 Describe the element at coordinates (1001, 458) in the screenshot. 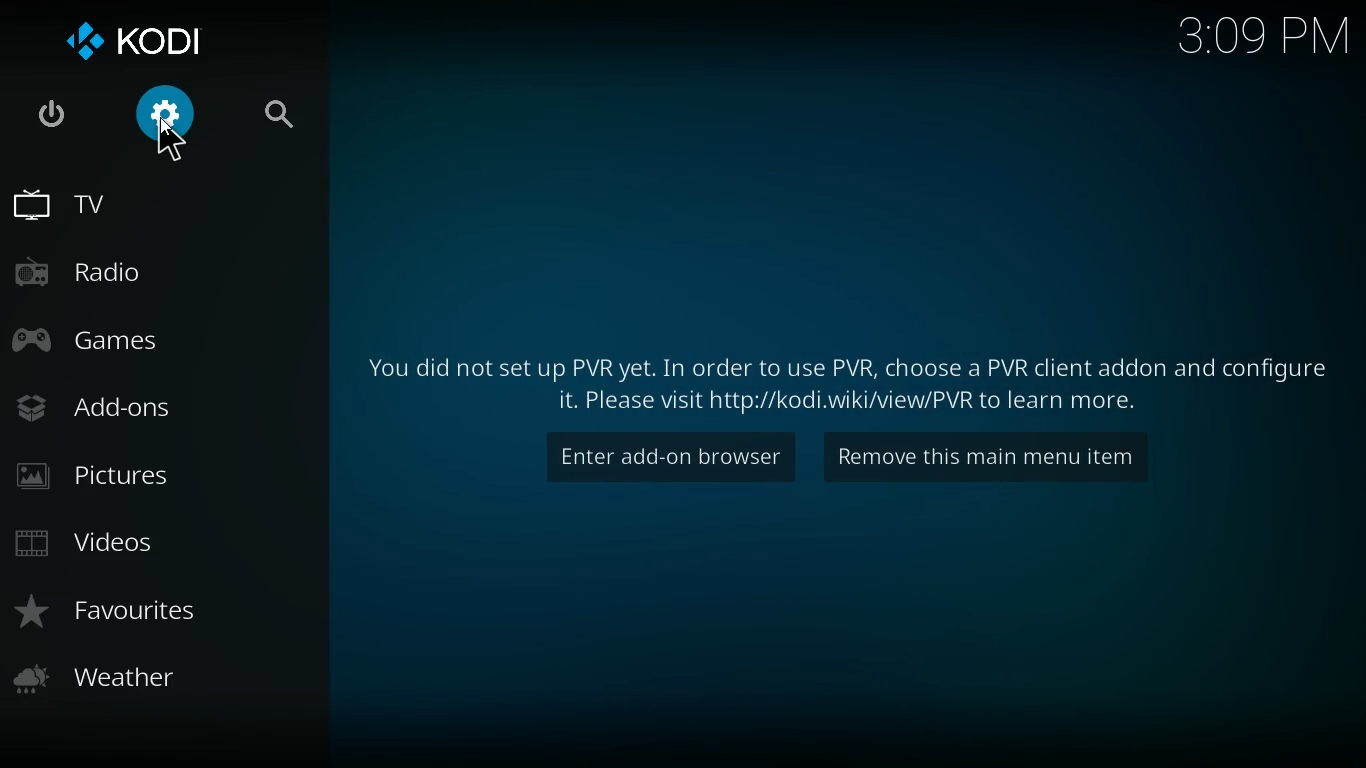

I see `remove this main menu item` at that location.